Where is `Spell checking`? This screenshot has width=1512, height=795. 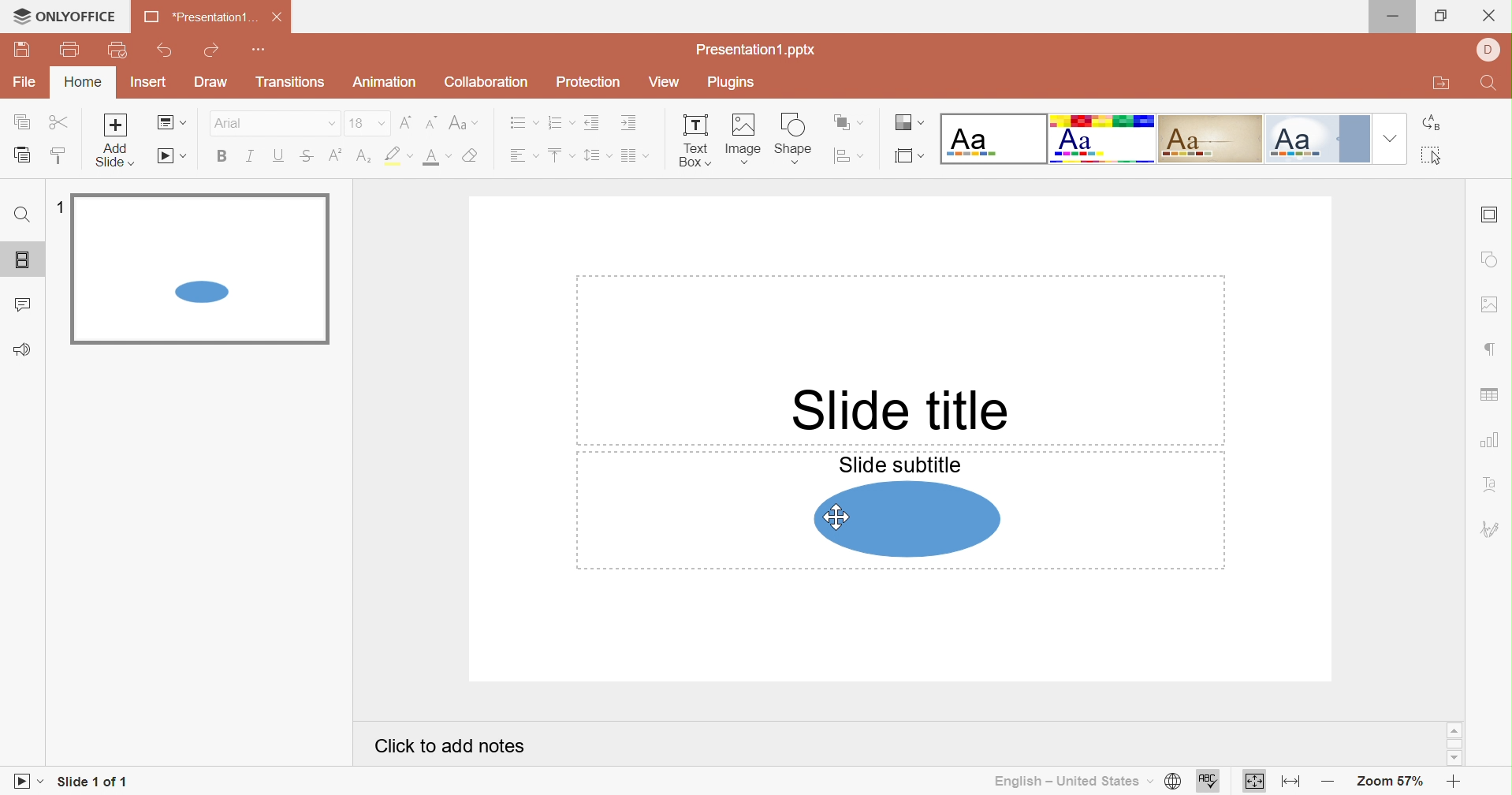
Spell checking is located at coordinates (1210, 781).